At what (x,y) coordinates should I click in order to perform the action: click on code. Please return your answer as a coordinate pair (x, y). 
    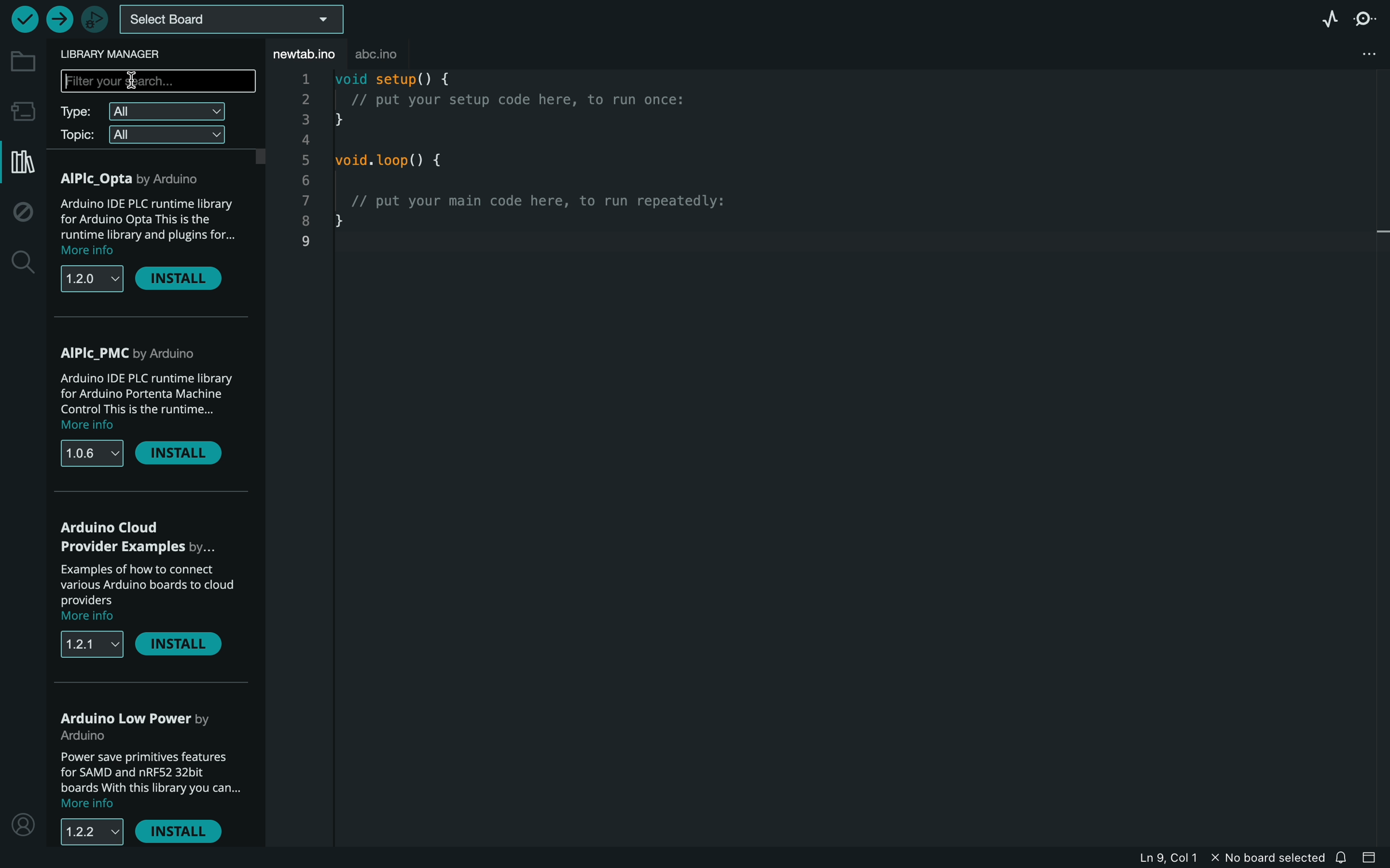
    Looking at the image, I should click on (565, 179).